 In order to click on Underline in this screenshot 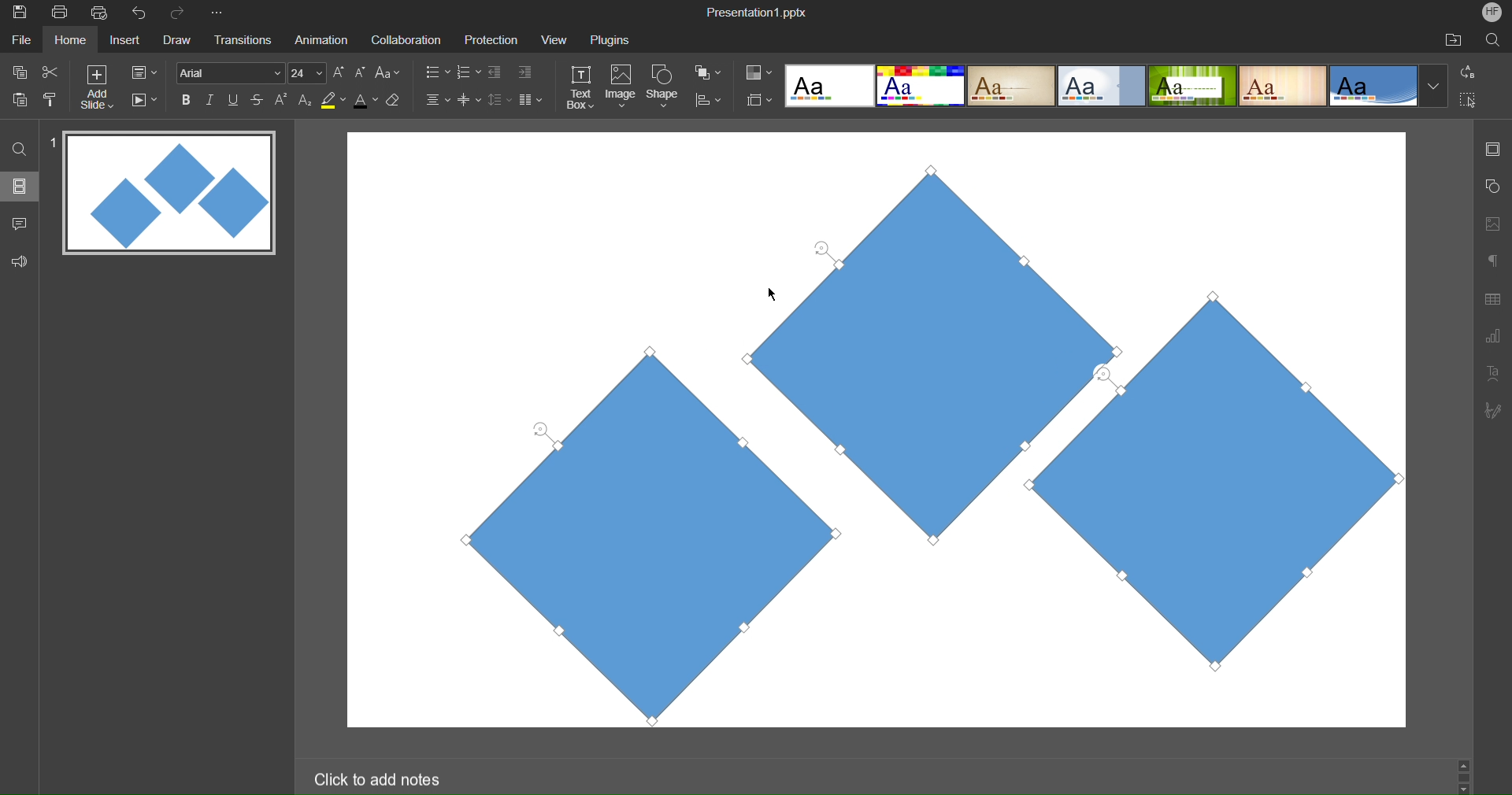, I will do `click(234, 100)`.